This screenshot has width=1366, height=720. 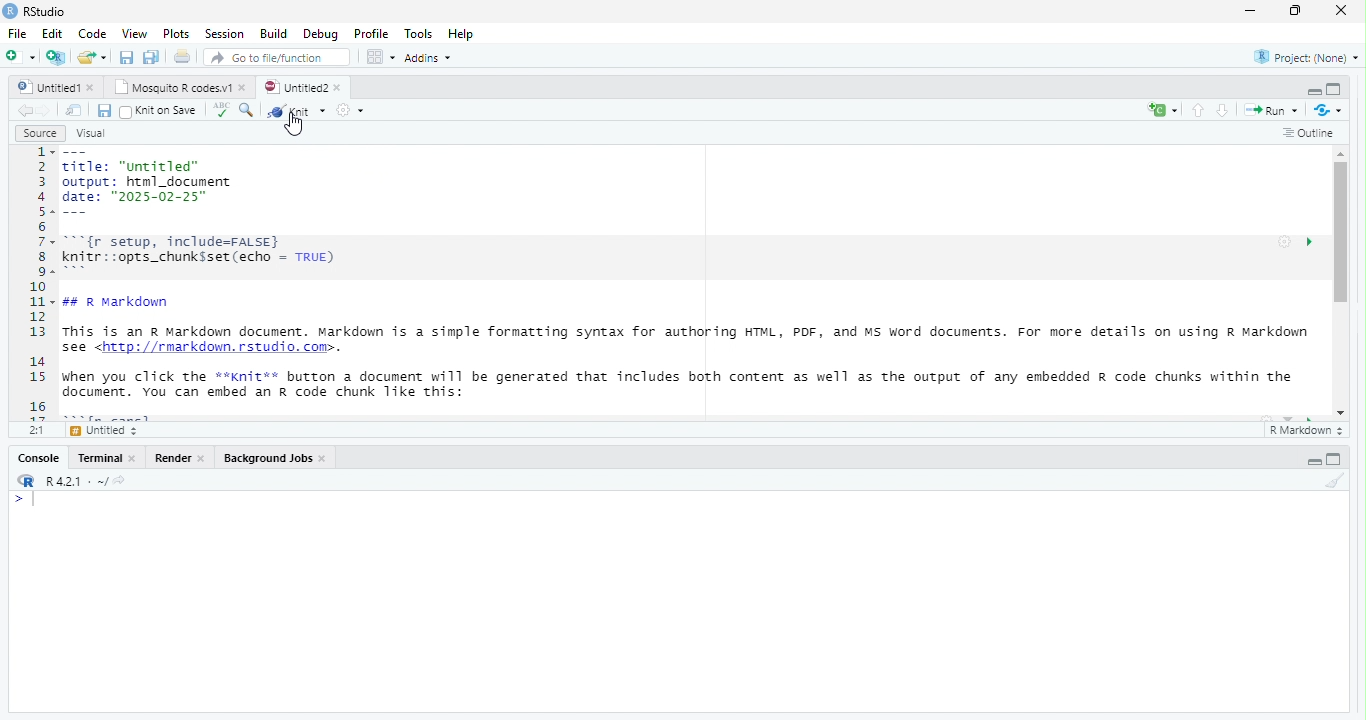 I want to click on print, so click(x=182, y=56).